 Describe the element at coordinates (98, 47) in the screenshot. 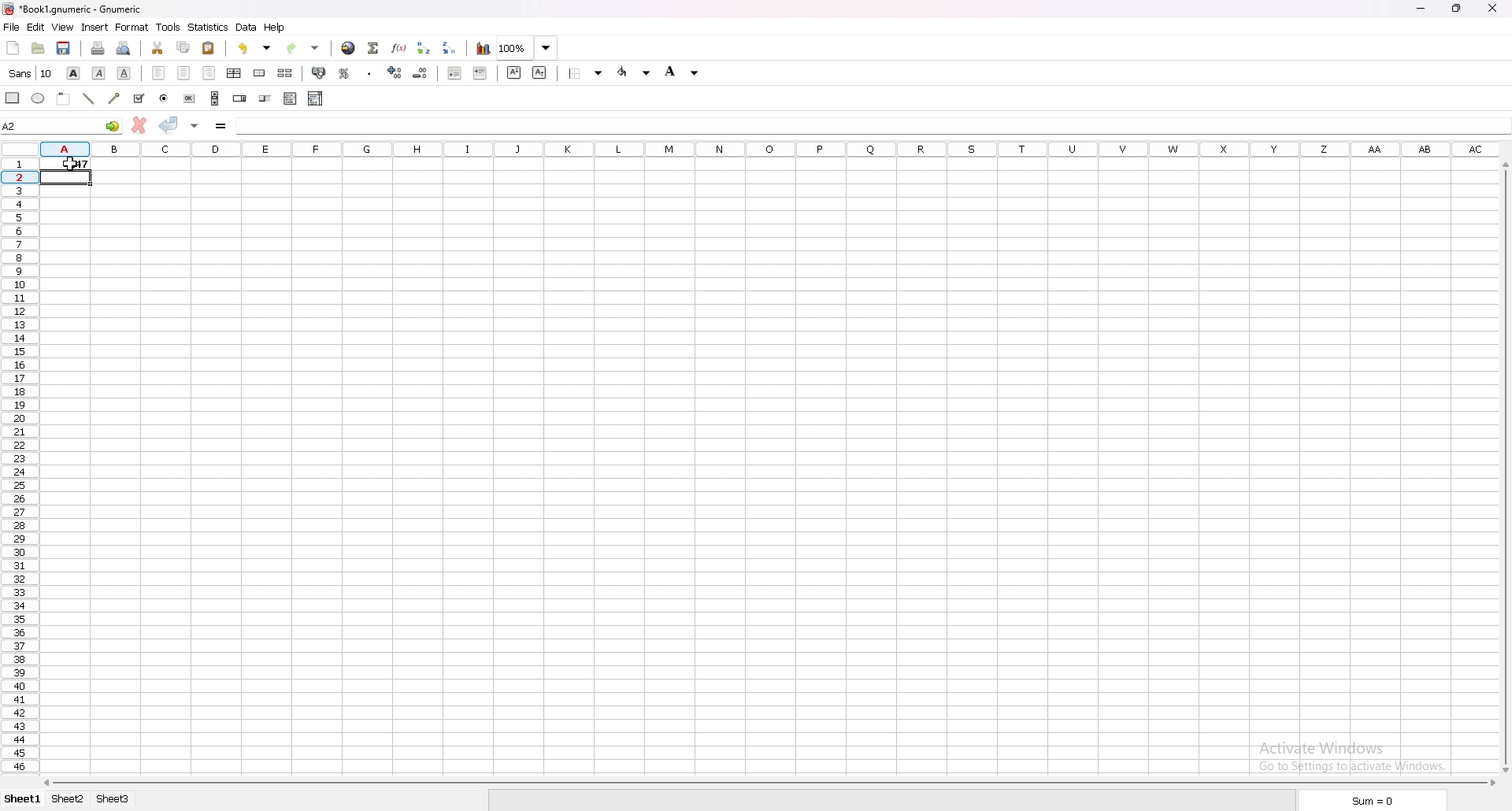

I see `print` at that location.